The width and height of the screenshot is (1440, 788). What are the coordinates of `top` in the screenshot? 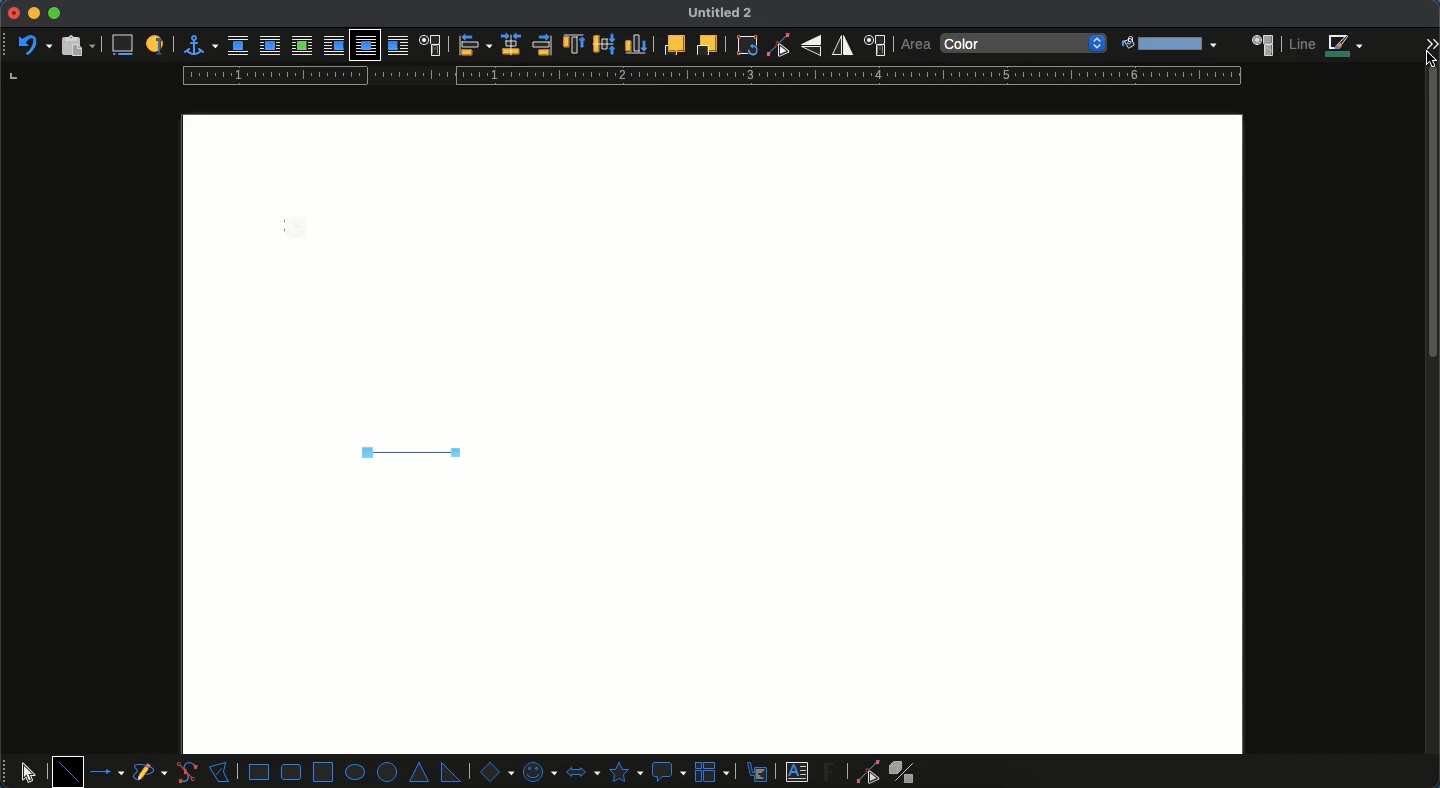 It's located at (575, 45).